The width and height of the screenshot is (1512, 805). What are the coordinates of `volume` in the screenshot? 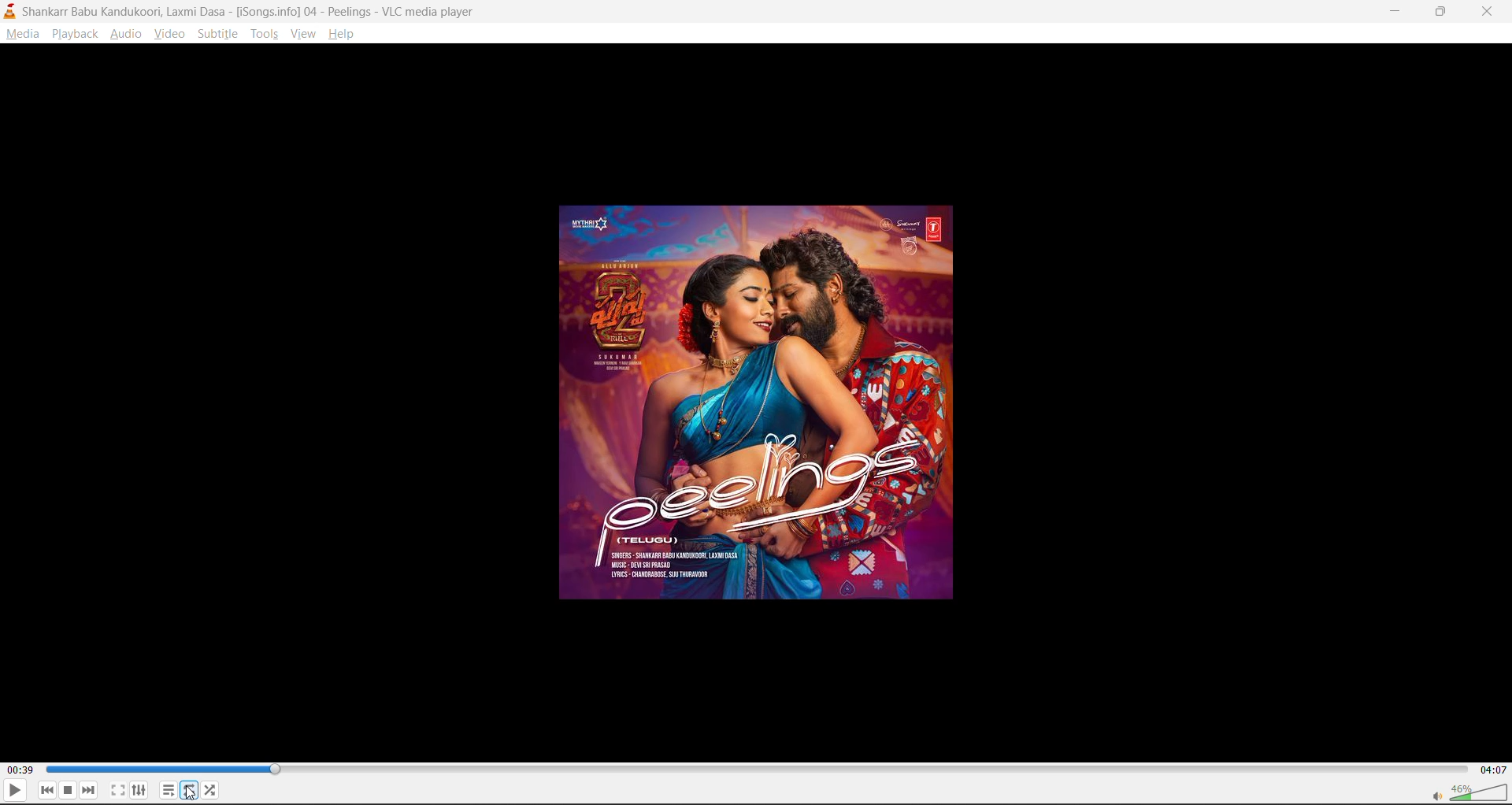 It's located at (1473, 792).